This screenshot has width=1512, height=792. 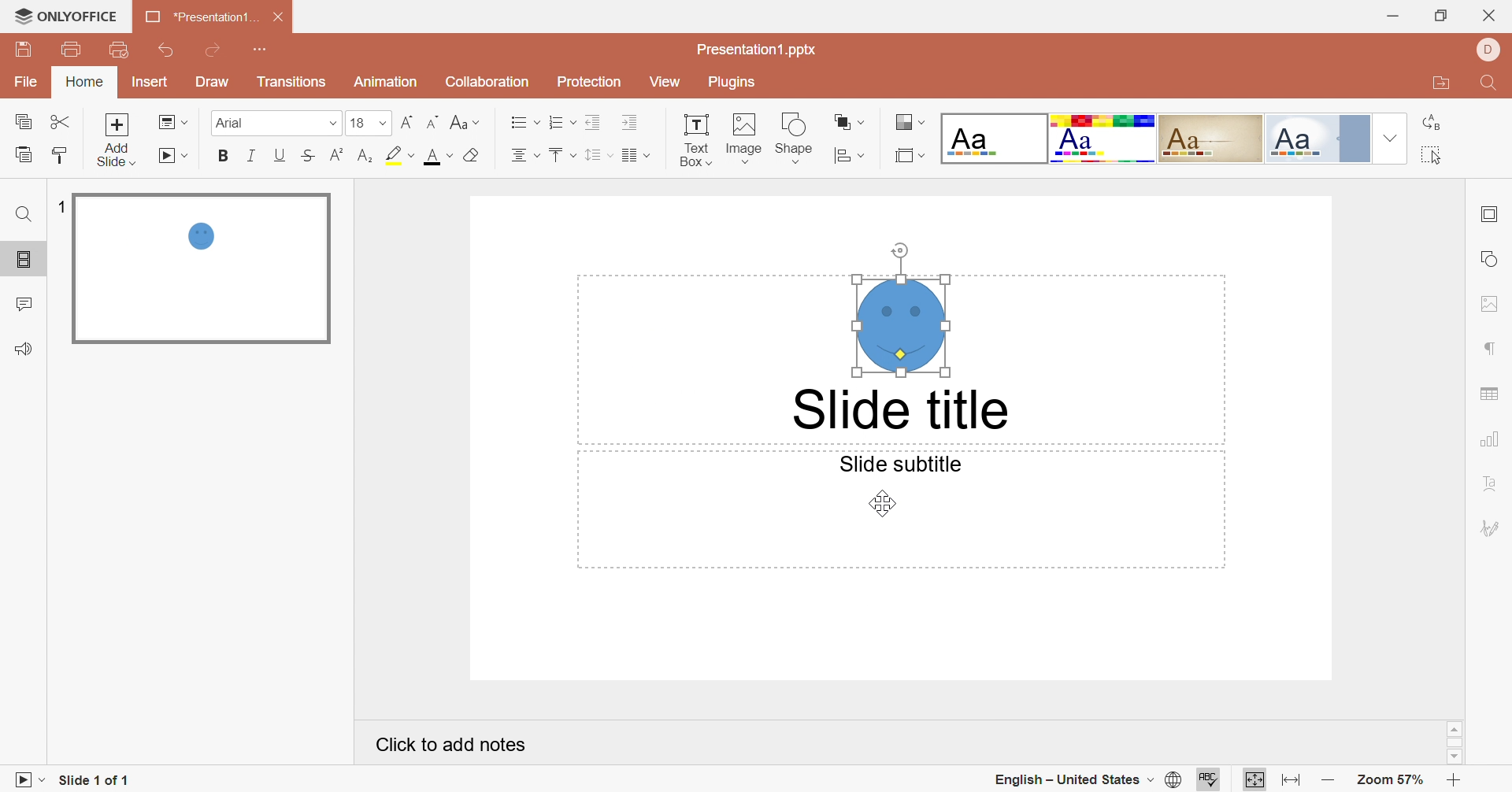 What do you see at coordinates (1176, 781) in the screenshot?
I see `Set document language` at bounding box center [1176, 781].